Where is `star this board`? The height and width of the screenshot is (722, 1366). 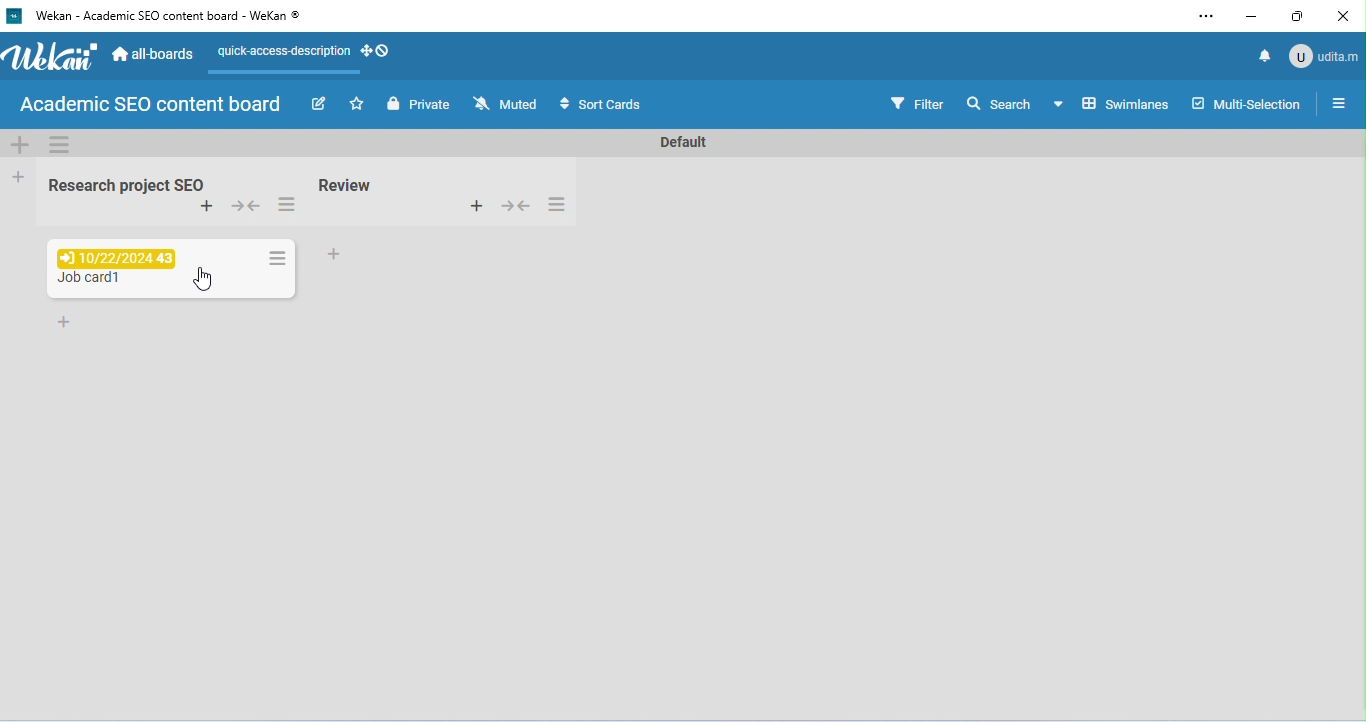
star this board is located at coordinates (358, 104).